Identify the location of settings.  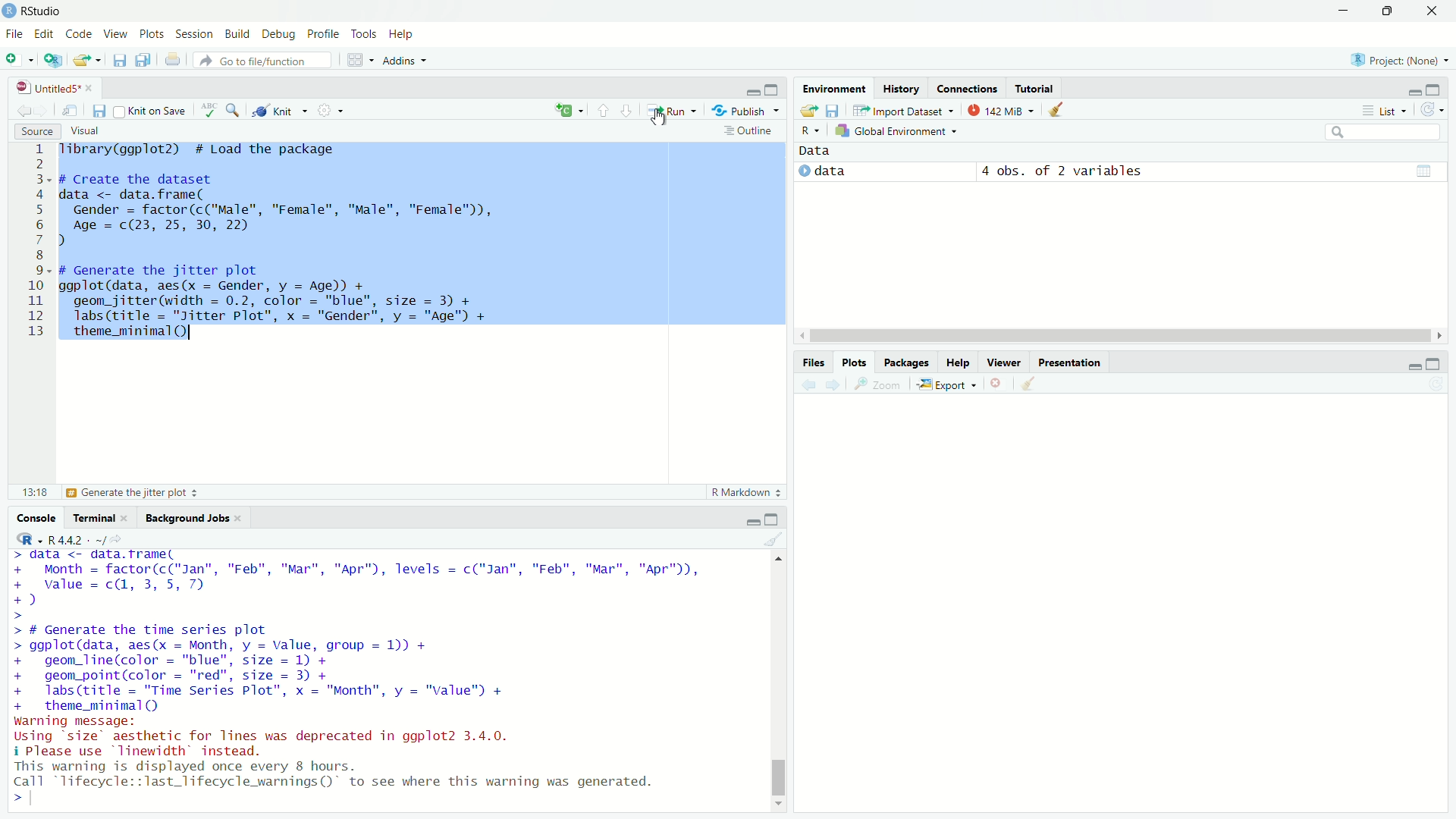
(332, 111).